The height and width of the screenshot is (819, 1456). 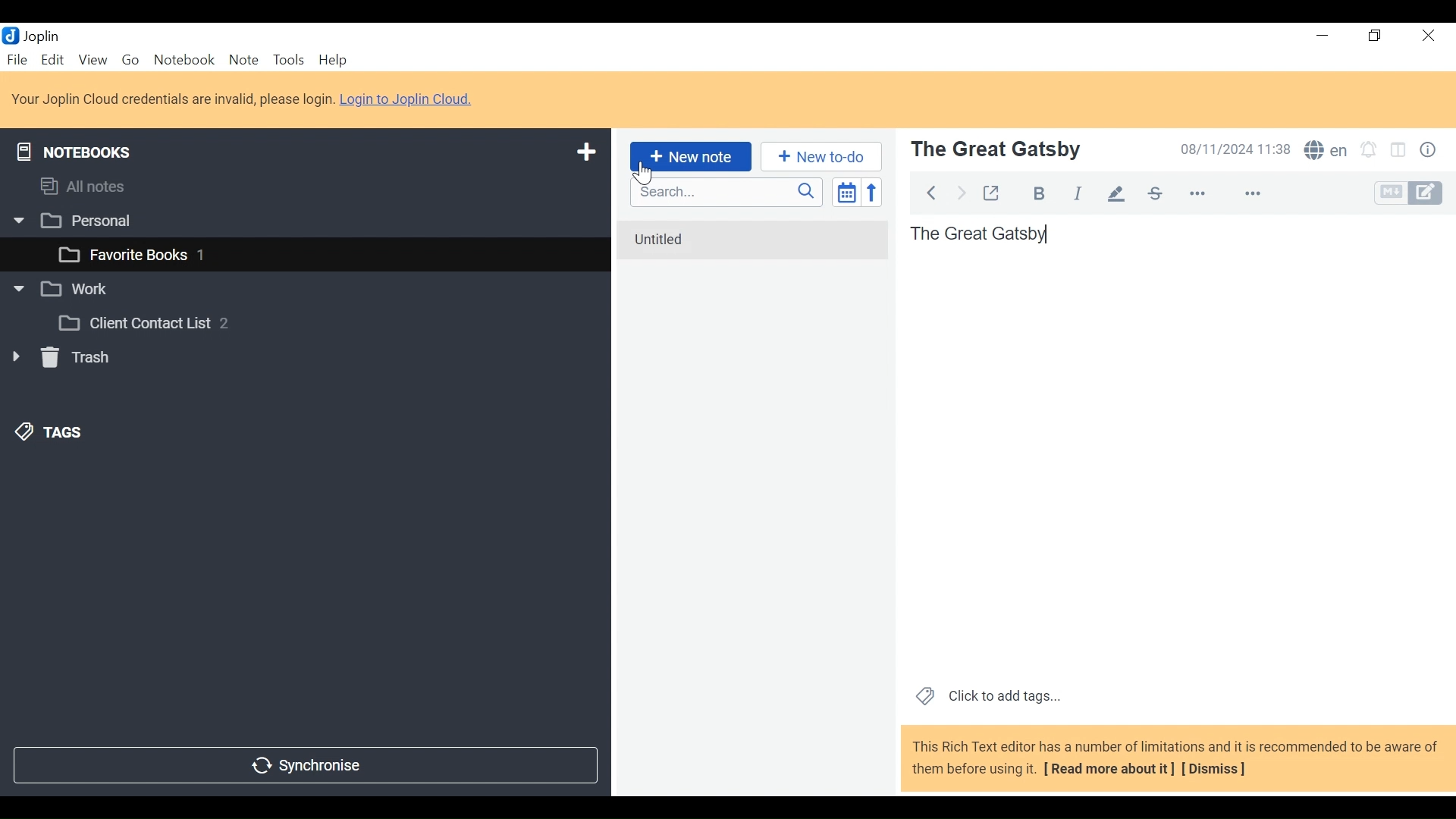 I want to click on favourite books, so click(x=132, y=255).